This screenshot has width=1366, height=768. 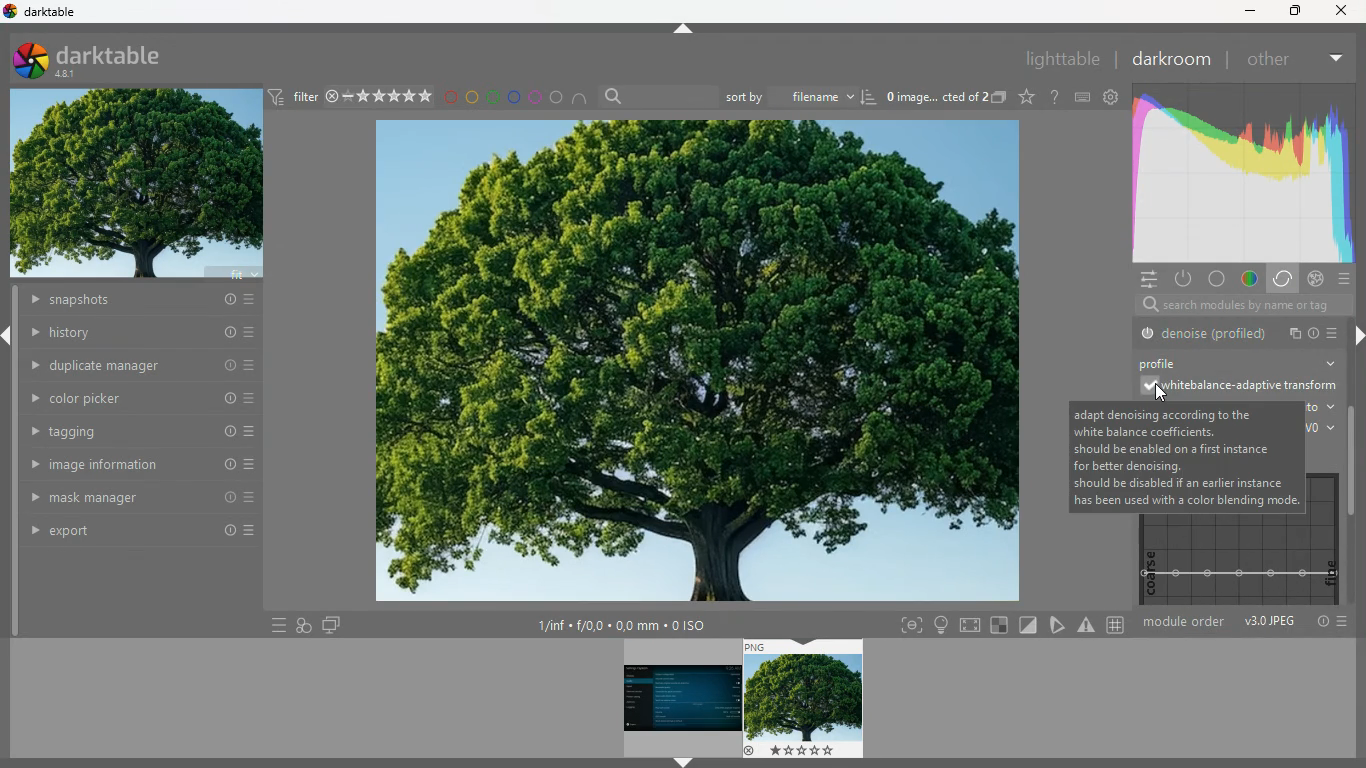 What do you see at coordinates (1293, 11) in the screenshot?
I see `maximize` at bounding box center [1293, 11].